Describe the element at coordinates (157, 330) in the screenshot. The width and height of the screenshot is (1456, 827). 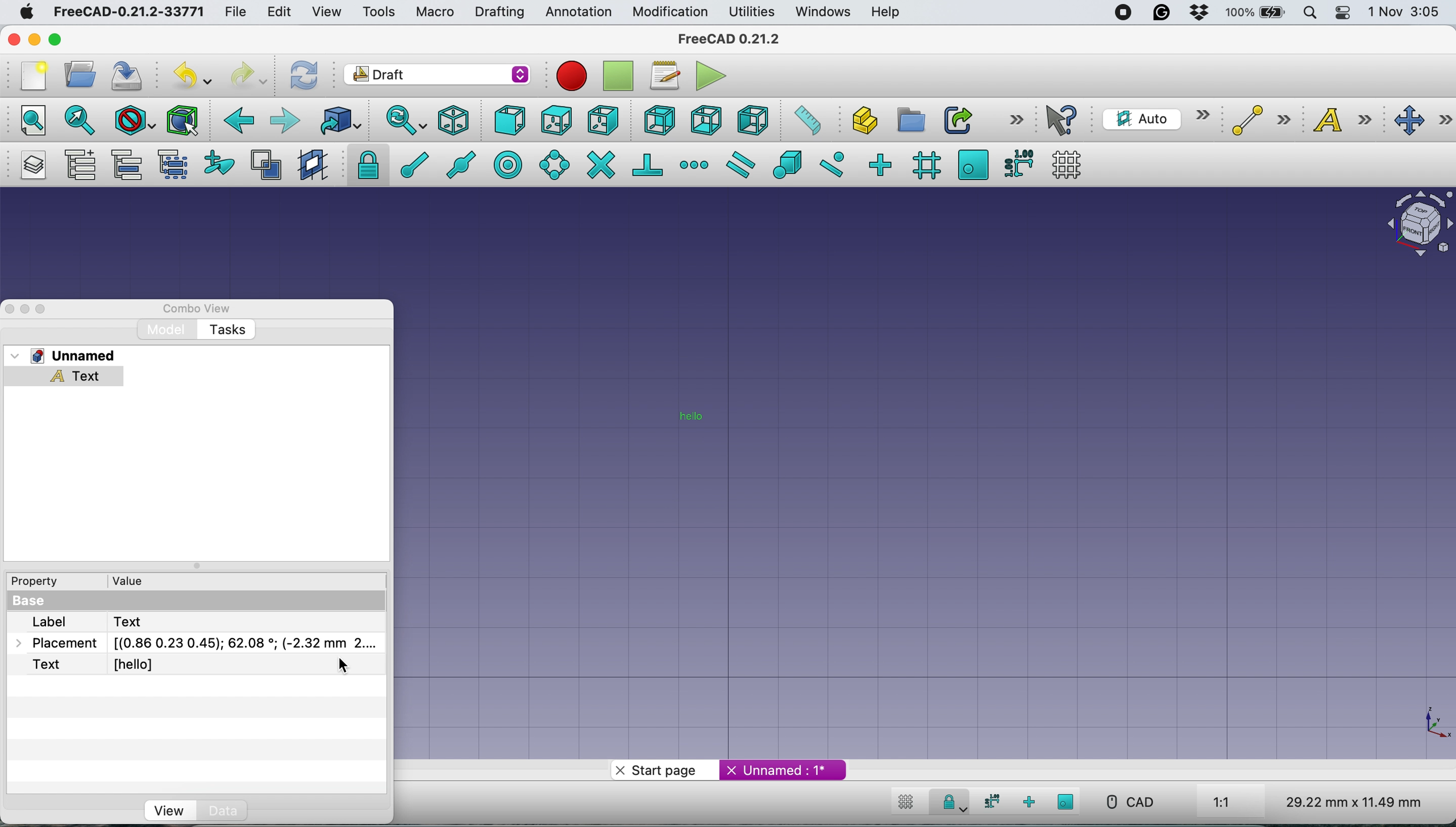
I see `model` at that location.